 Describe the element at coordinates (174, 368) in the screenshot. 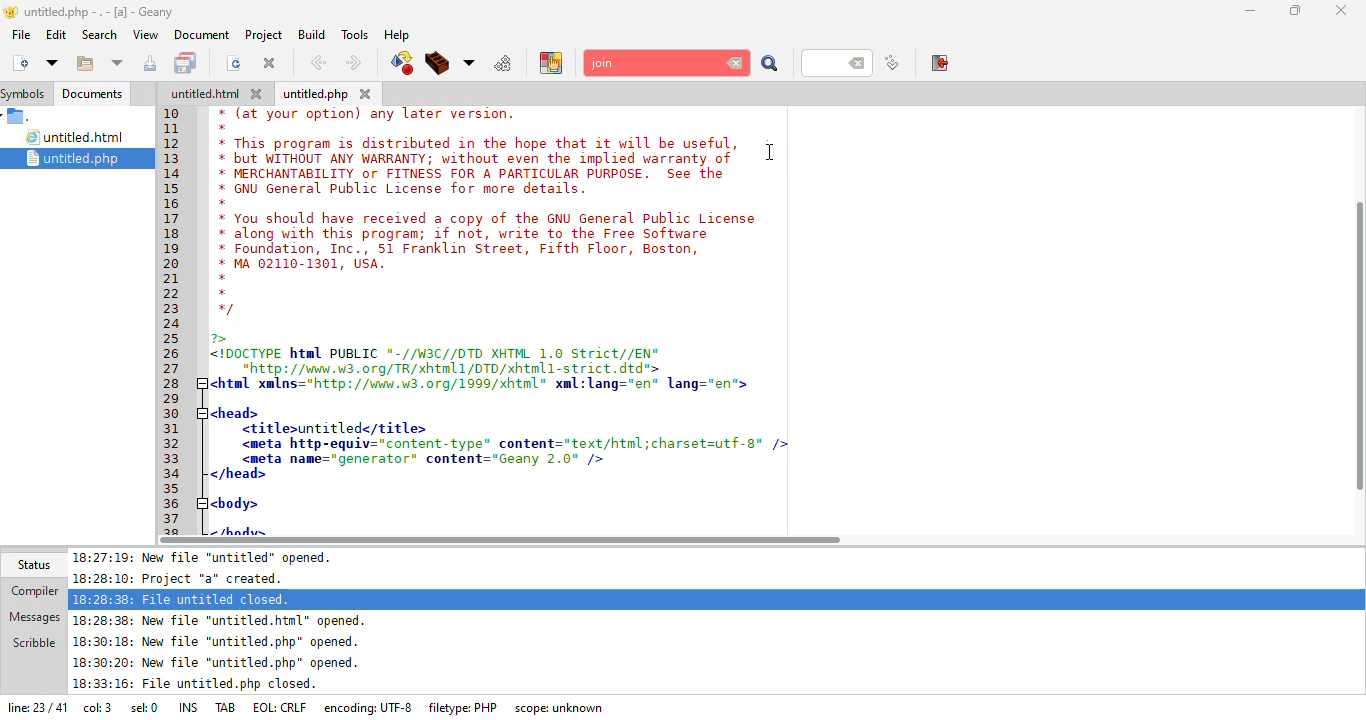

I see `27` at that location.